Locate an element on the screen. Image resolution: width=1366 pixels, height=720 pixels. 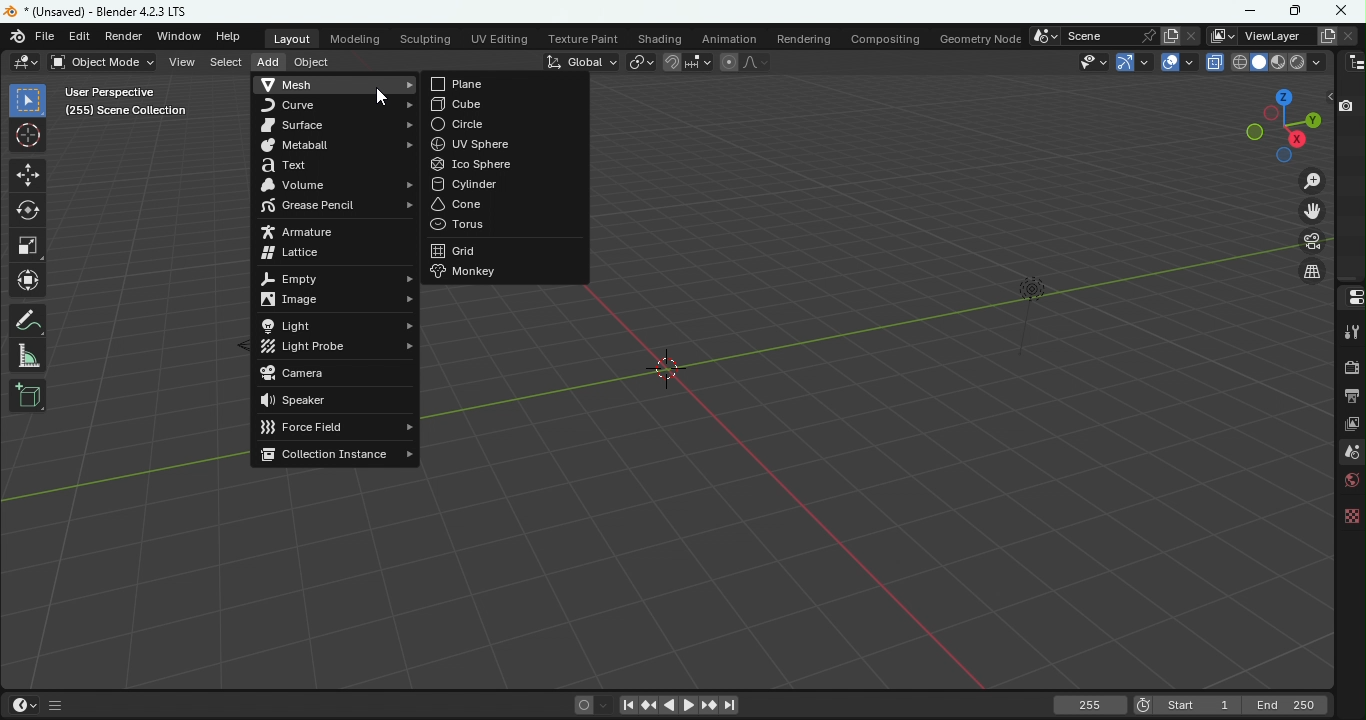
Shading is located at coordinates (660, 36).